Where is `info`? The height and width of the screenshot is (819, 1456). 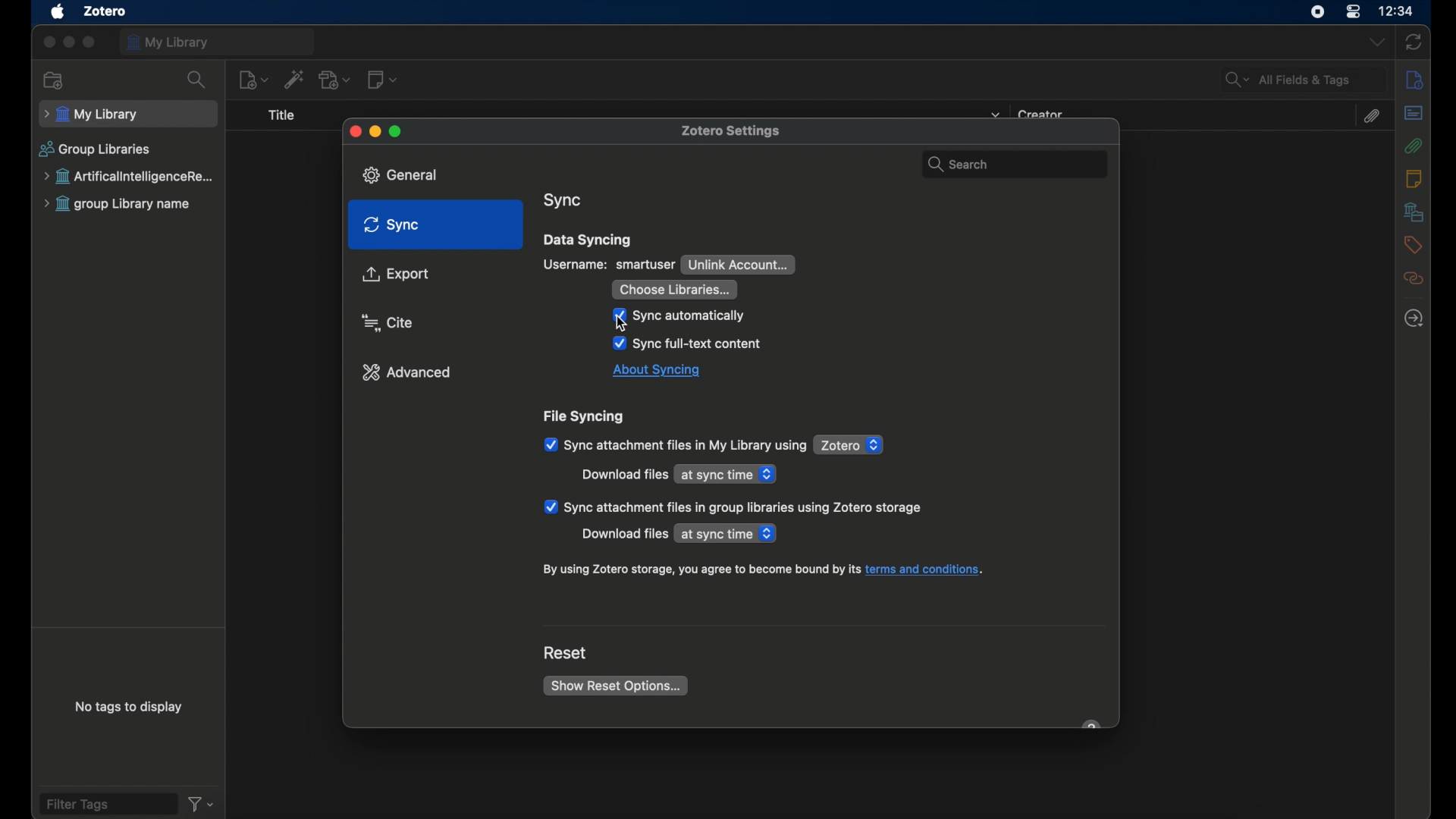 info is located at coordinates (1414, 80).